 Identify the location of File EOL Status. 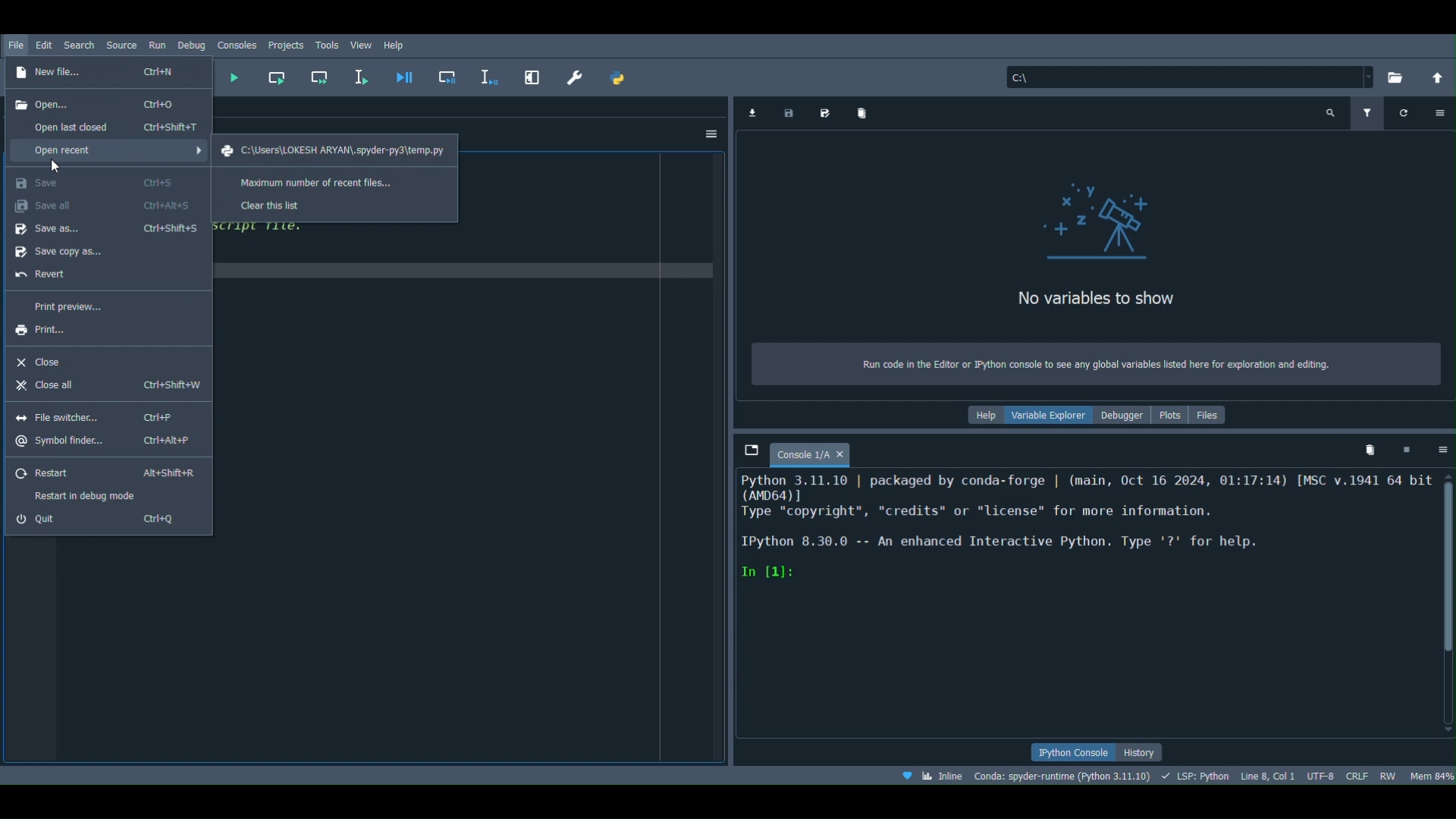
(1355, 773).